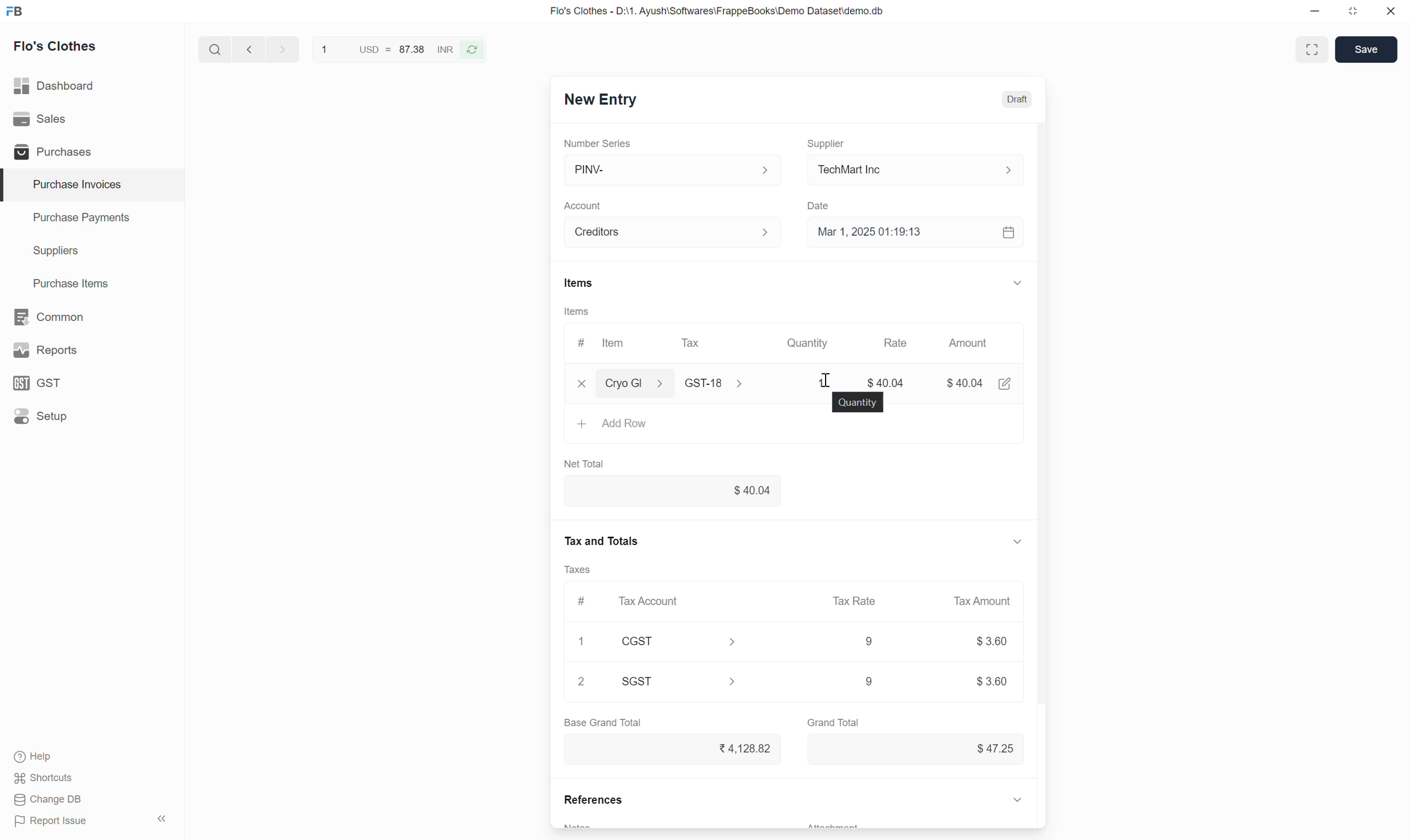 This screenshot has width=1410, height=840. I want to click on 1 USD = 87.38 INR, so click(385, 48).